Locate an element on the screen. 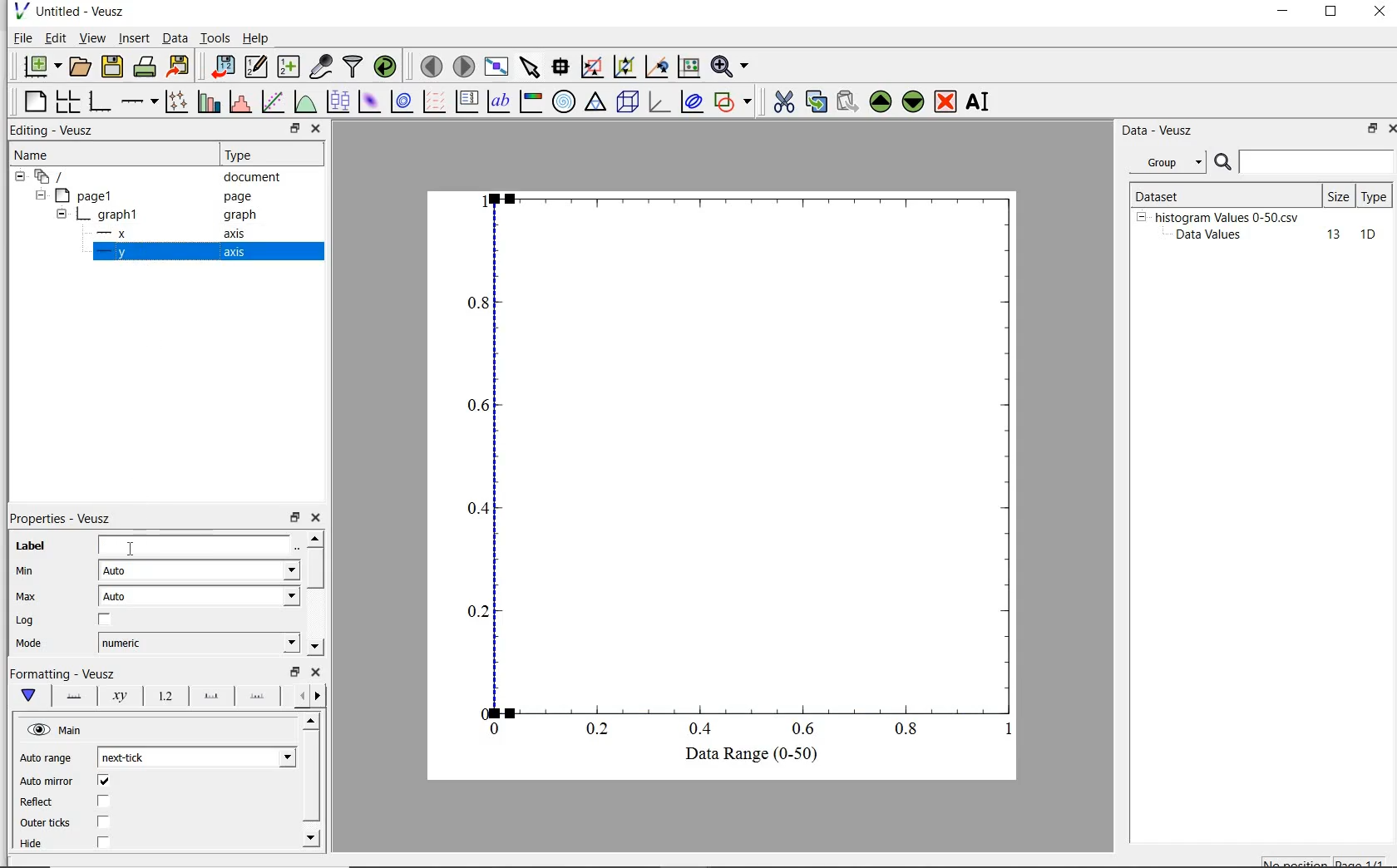  hide is located at coordinates (62, 215).